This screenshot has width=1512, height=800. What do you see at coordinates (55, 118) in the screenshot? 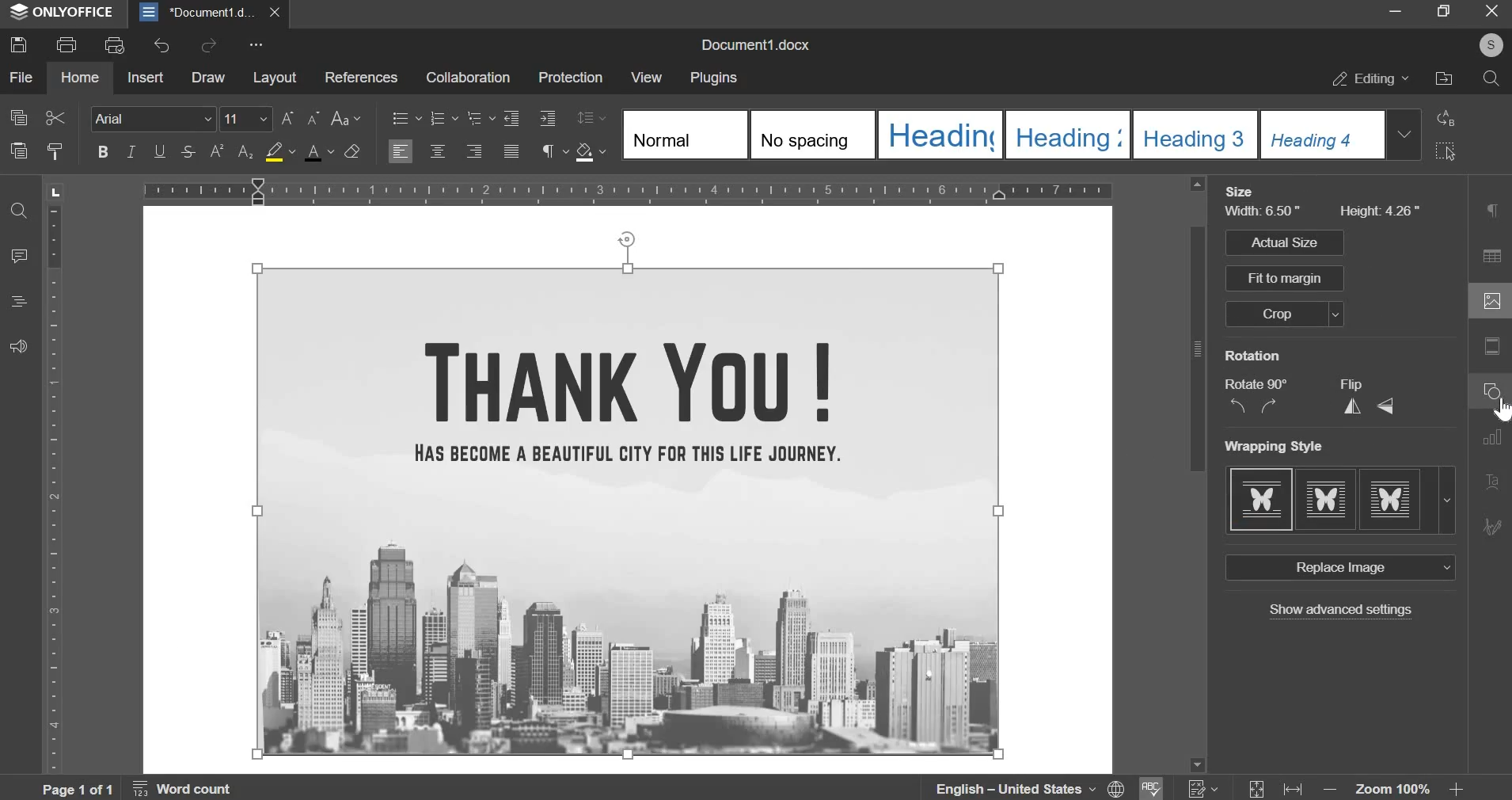
I see `cut` at bounding box center [55, 118].